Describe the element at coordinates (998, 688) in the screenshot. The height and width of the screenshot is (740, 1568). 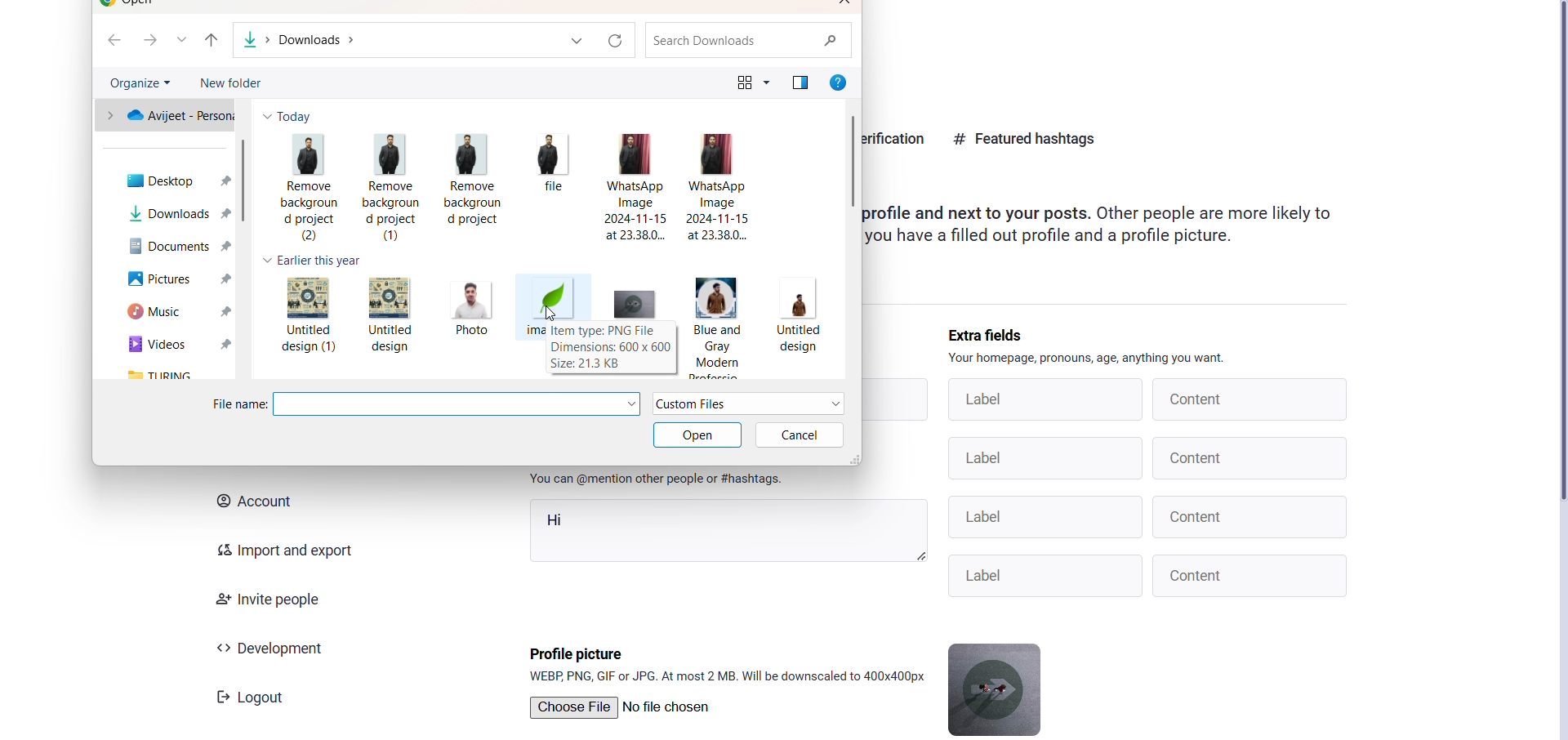
I see `current profile picture` at that location.